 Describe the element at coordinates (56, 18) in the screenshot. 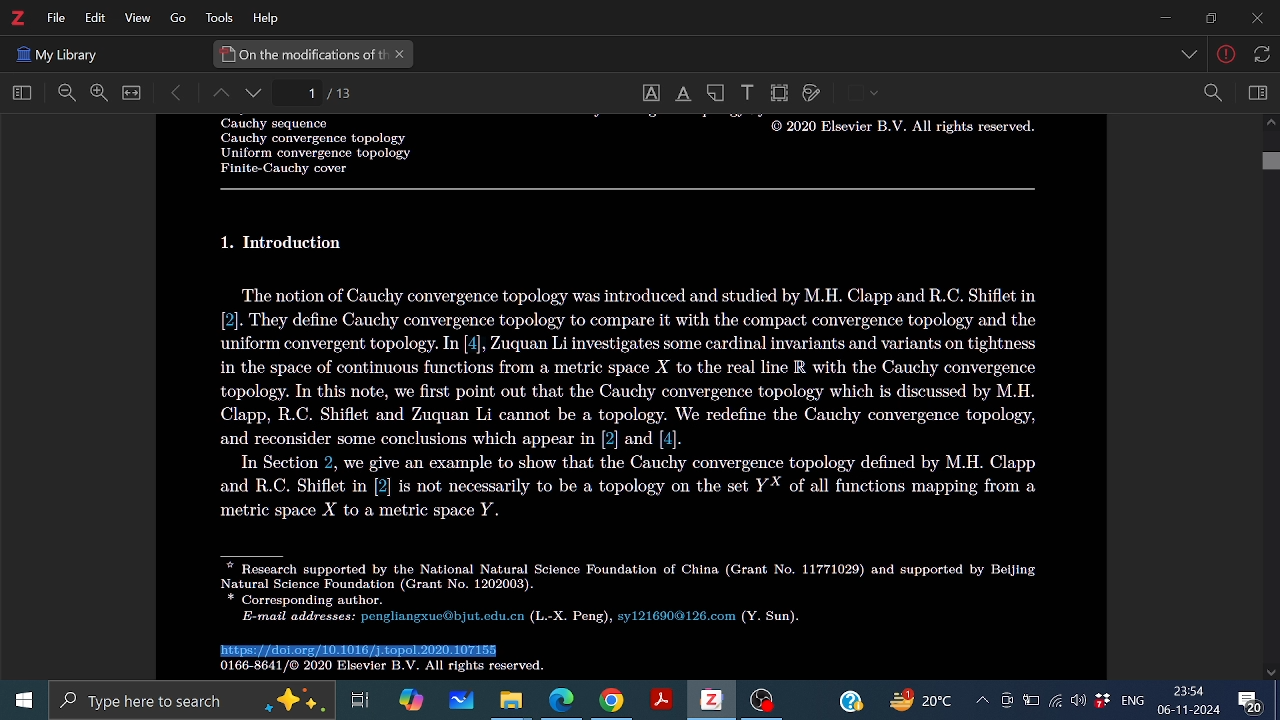

I see `File` at that location.